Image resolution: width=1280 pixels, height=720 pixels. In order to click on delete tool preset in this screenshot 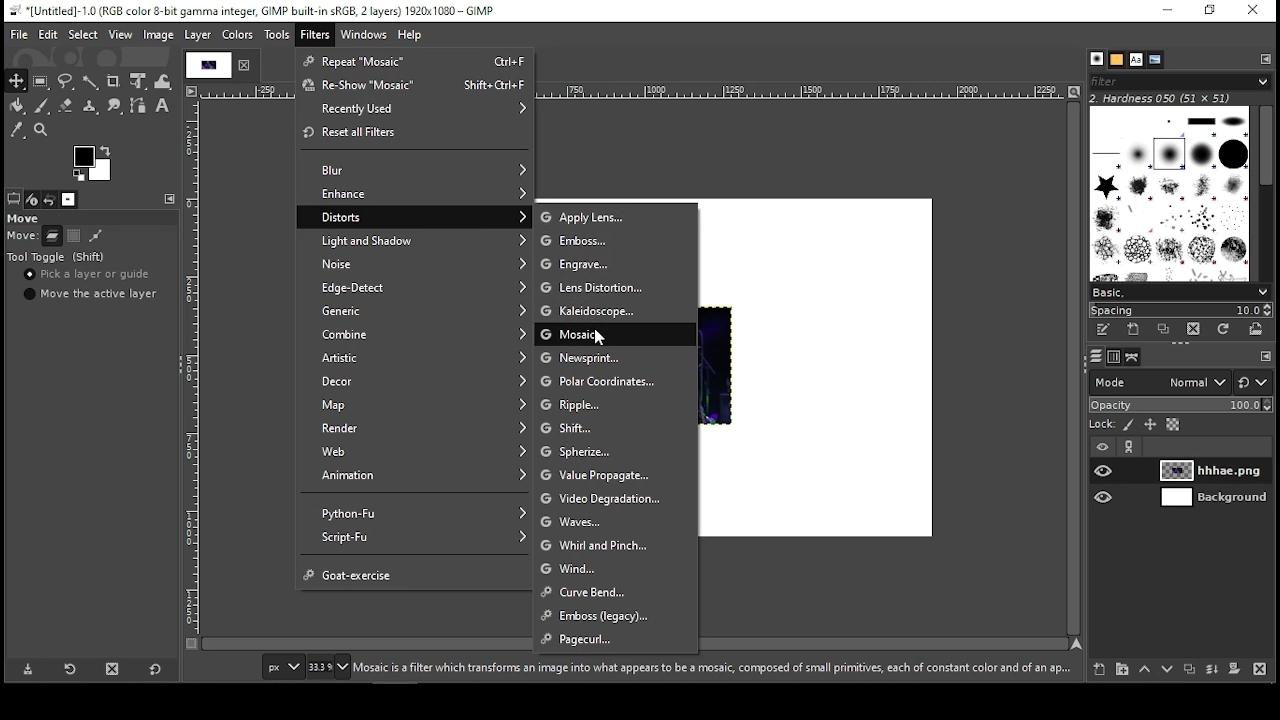, I will do `click(114, 668)`.